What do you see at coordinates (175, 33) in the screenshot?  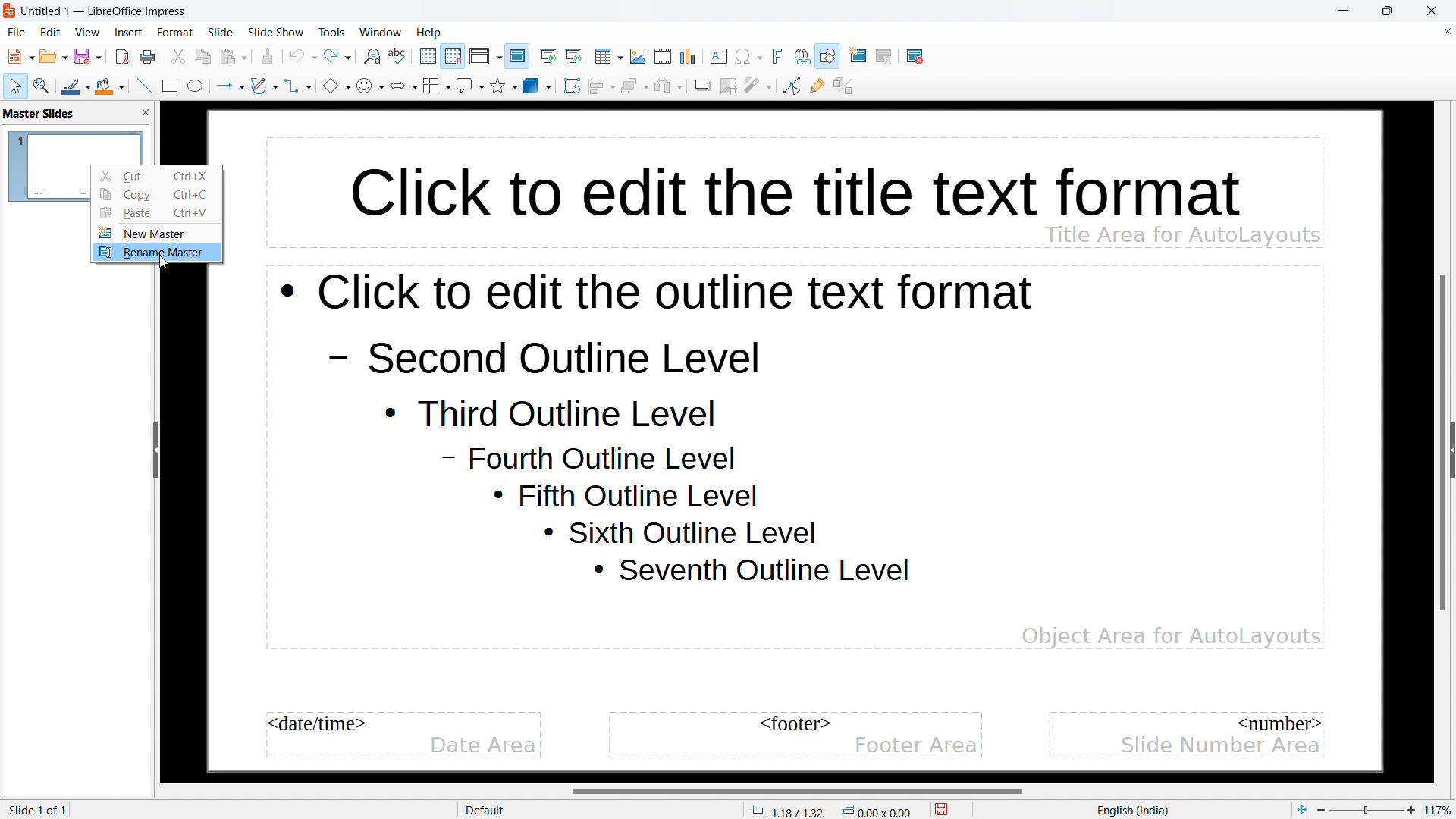 I see `format` at bounding box center [175, 33].